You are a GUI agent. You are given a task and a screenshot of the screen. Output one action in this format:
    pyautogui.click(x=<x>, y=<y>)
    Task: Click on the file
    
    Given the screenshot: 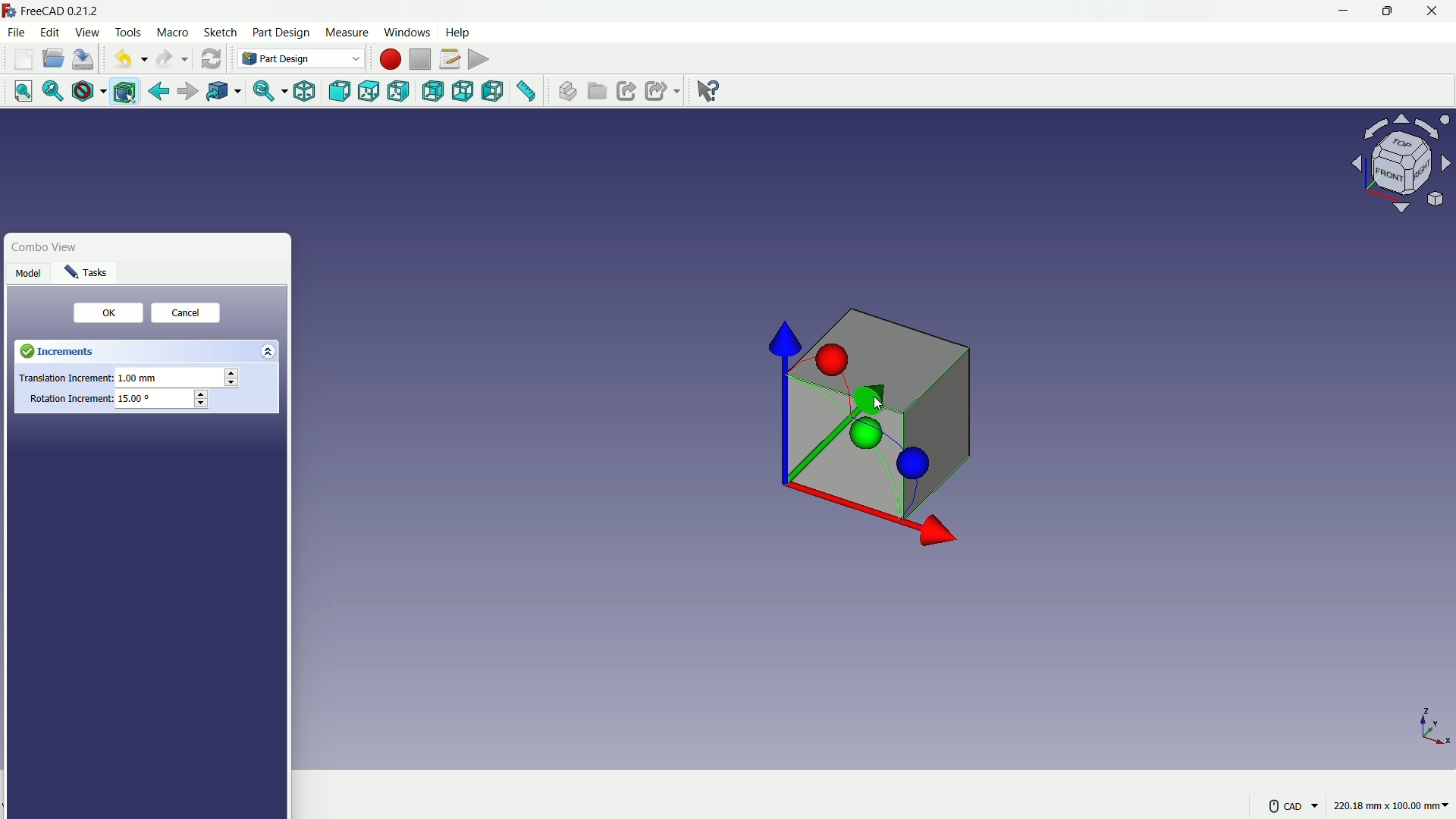 What is the action you would take?
    pyautogui.click(x=16, y=31)
    